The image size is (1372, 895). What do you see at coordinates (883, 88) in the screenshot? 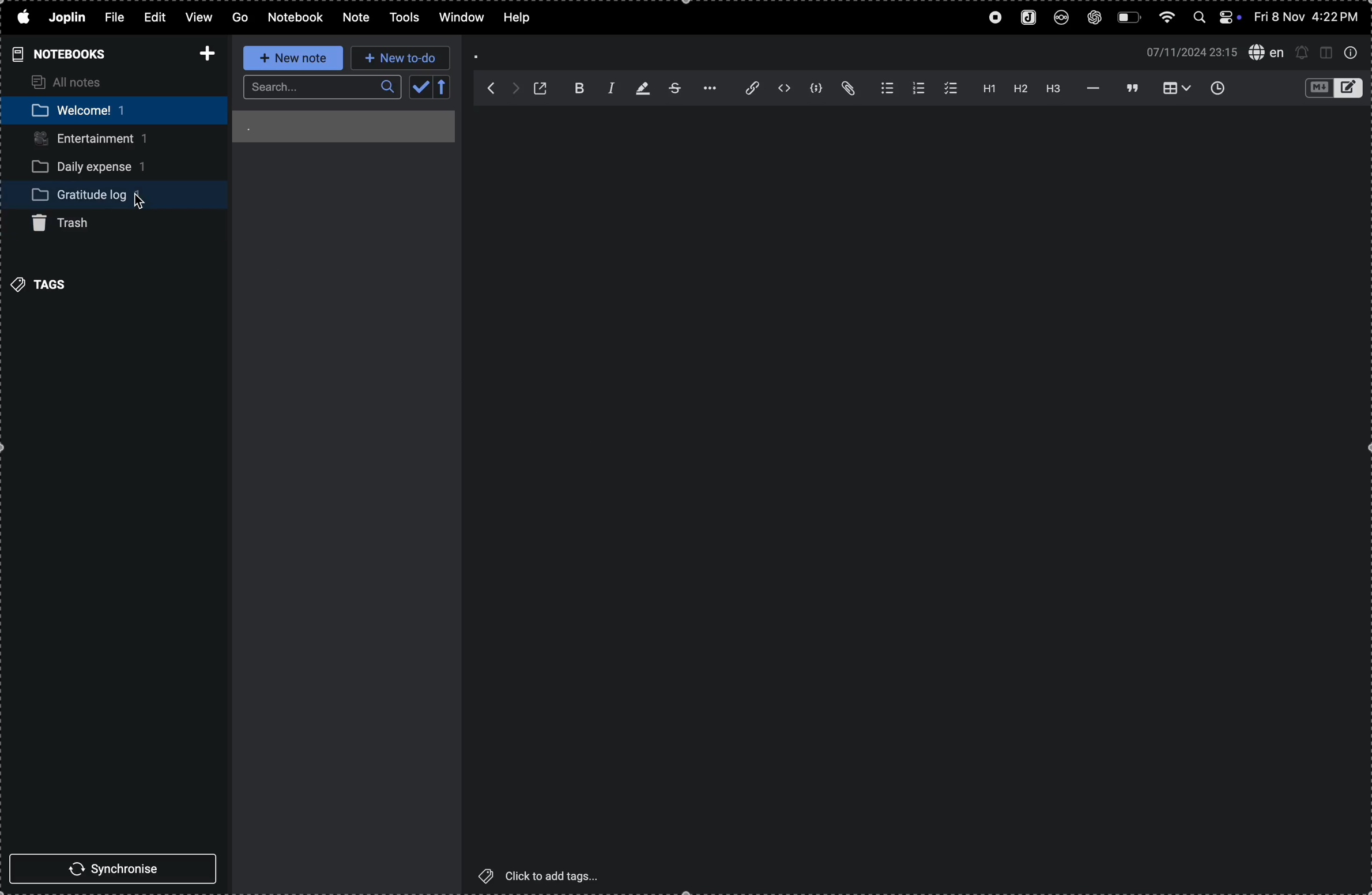
I see `bullet list` at bounding box center [883, 88].